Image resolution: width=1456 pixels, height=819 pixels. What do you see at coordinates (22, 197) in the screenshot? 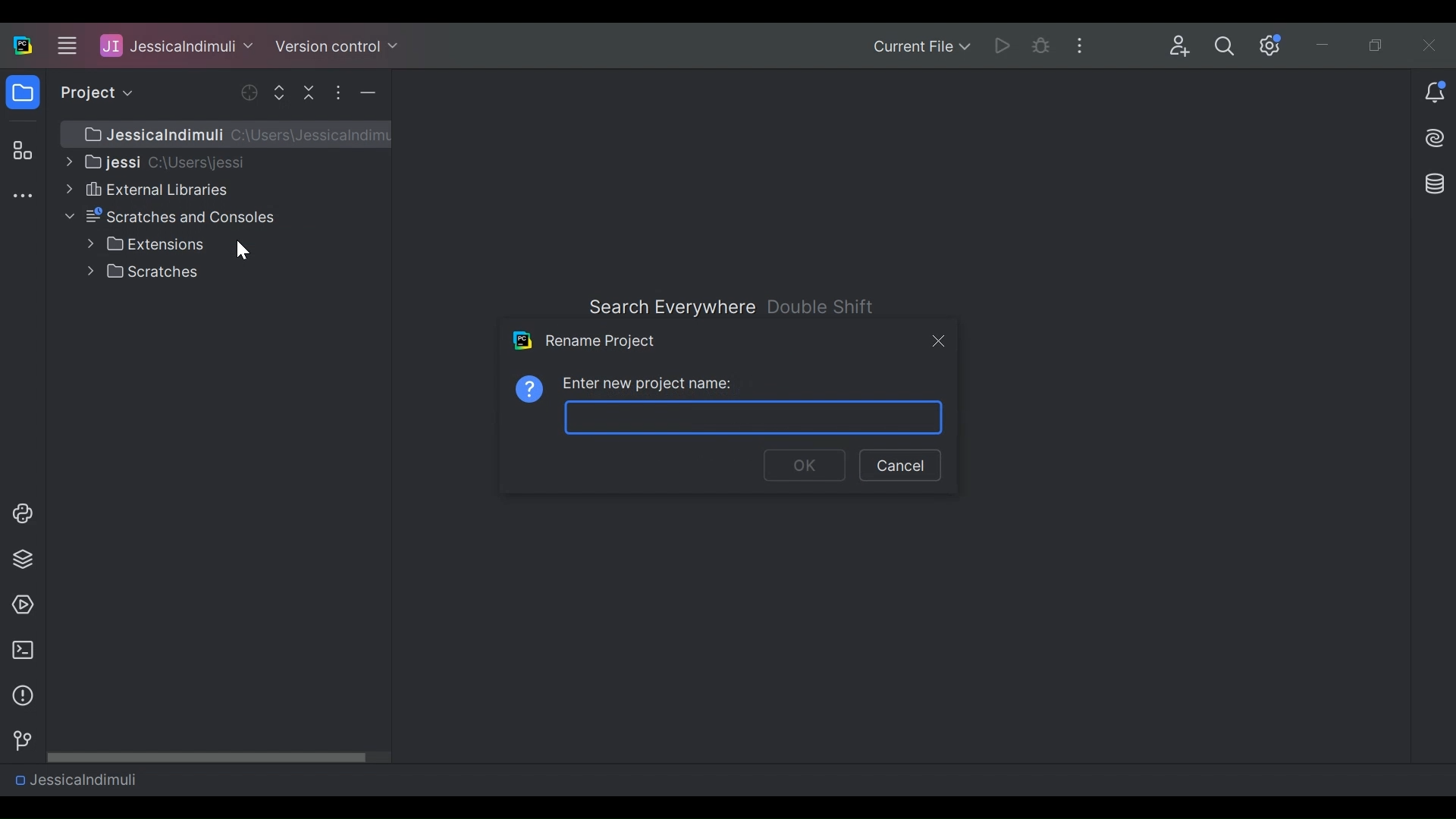
I see `More tool windows` at bounding box center [22, 197].